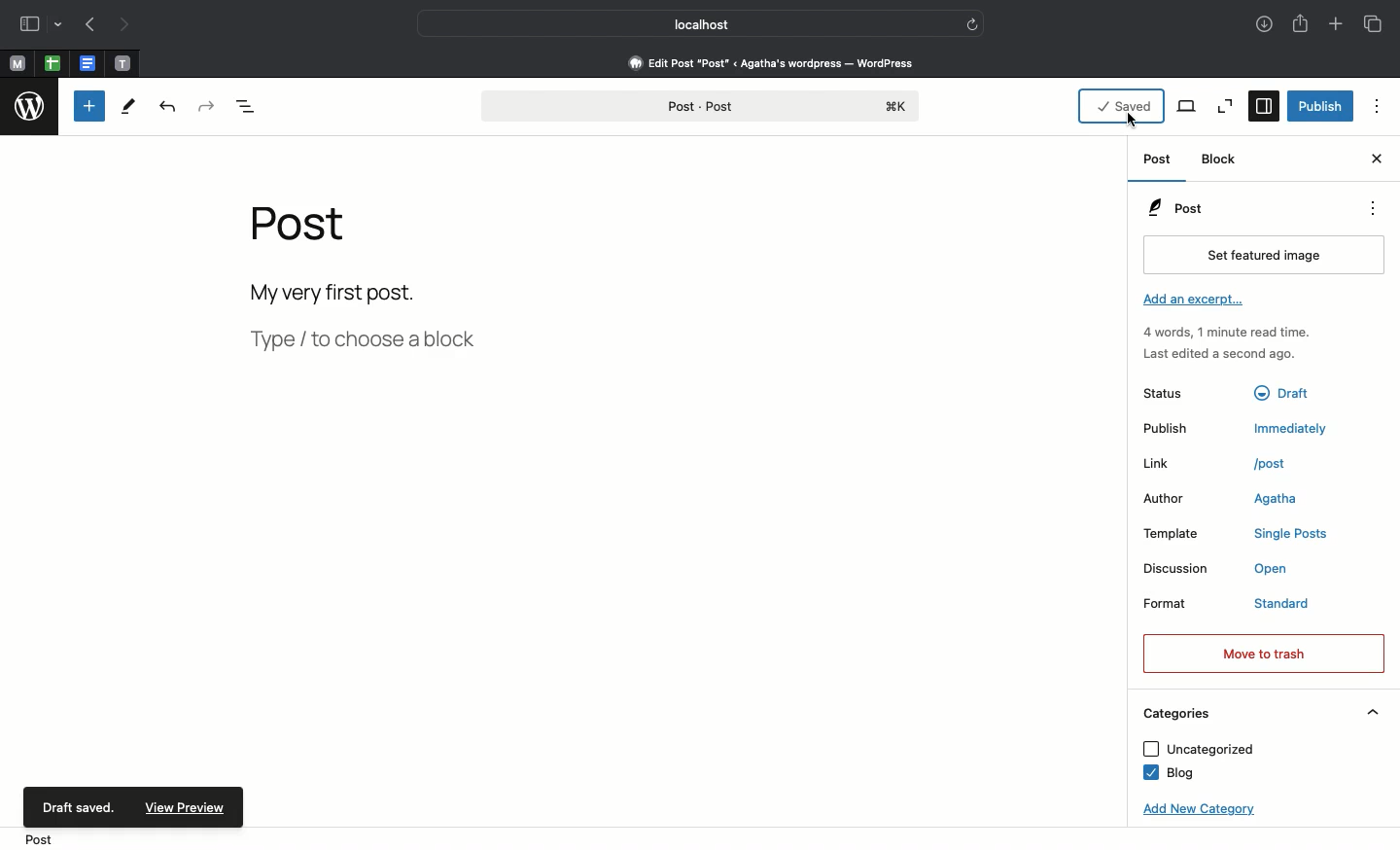 Image resolution: width=1400 pixels, height=850 pixels. What do you see at coordinates (130, 25) in the screenshot?
I see `Next page` at bounding box center [130, 25].